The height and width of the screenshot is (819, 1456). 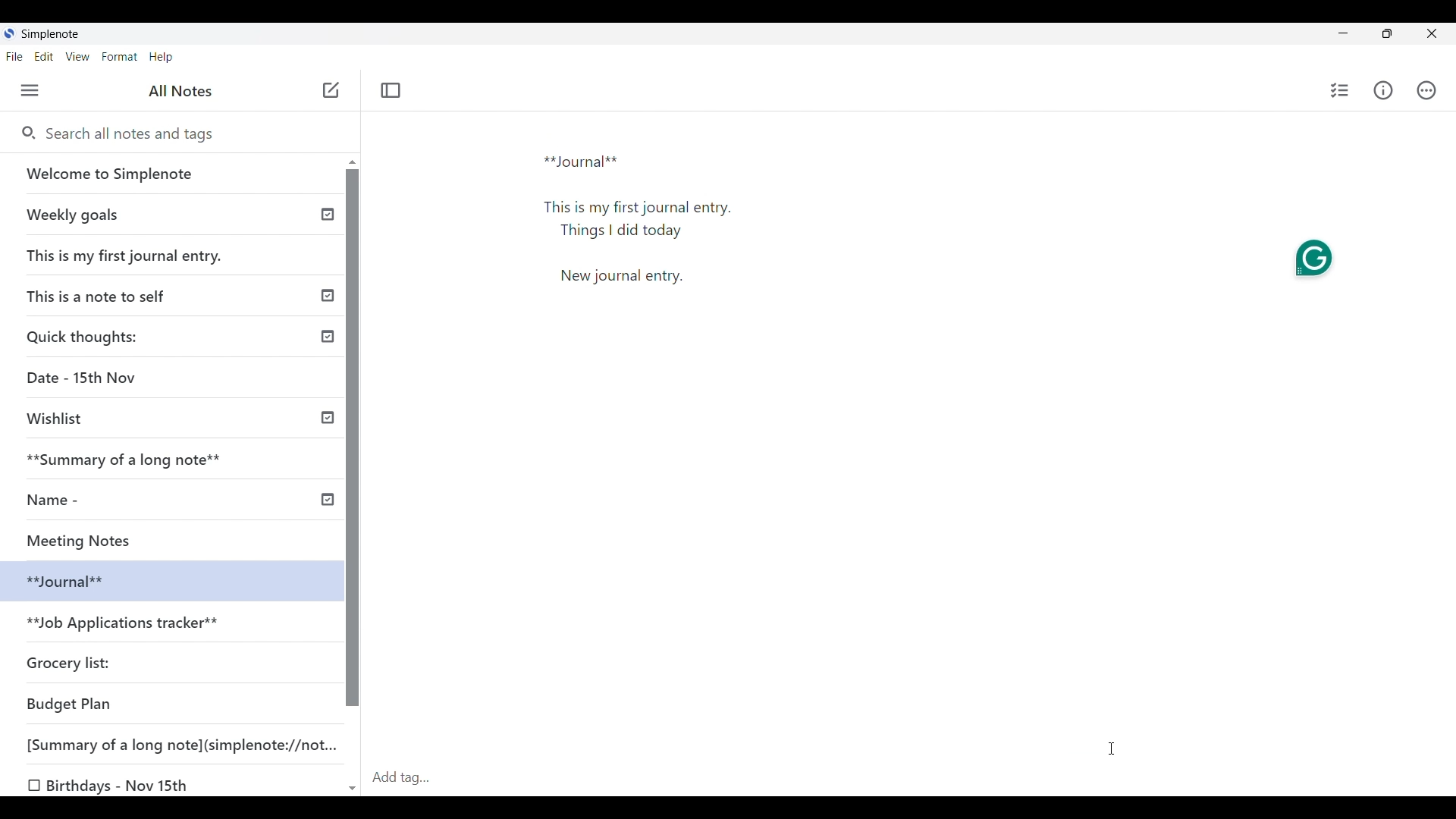 What do you see at coordinates (189, 744) in the screenshot?
I see `[Summary of a long note](simplenote://not...` at bounding box center [189, 744].